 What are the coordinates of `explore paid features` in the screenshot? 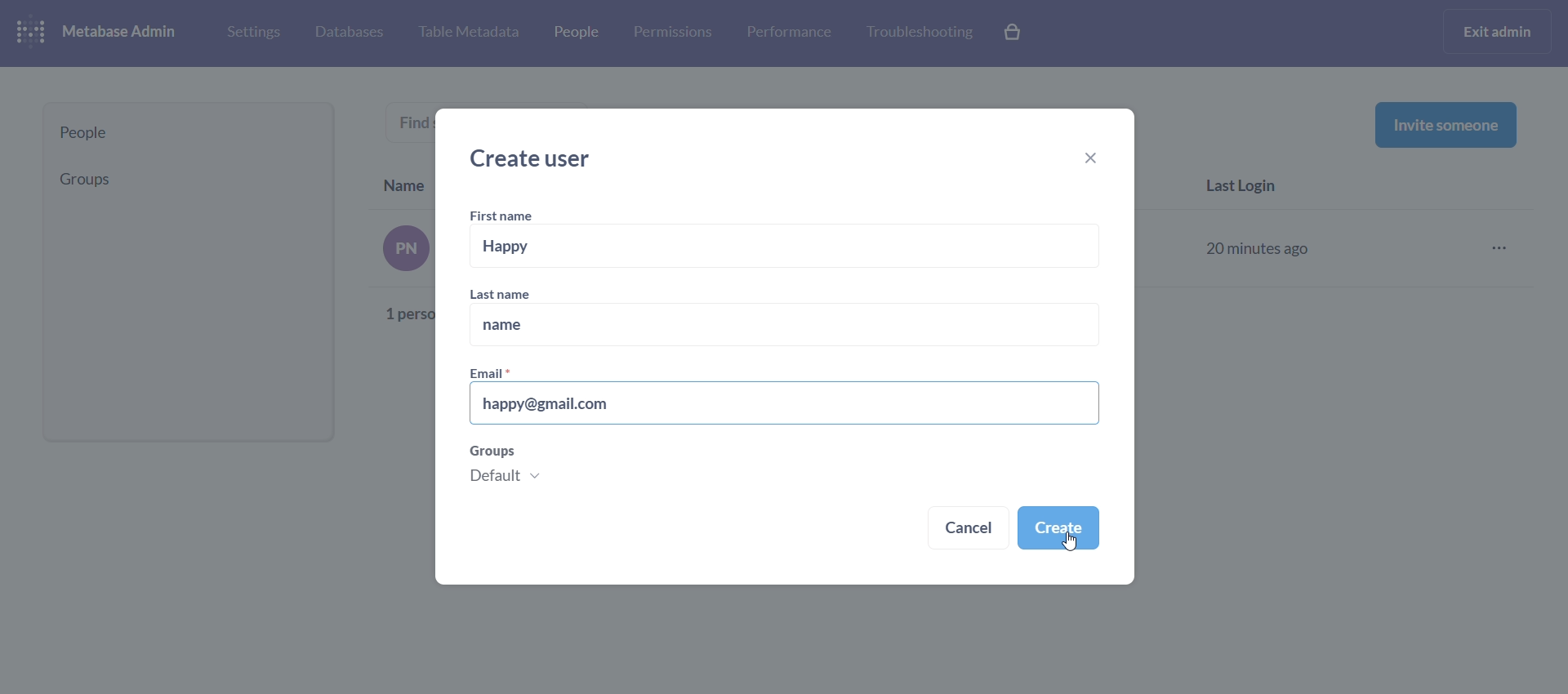 It's located at (1014, 33).